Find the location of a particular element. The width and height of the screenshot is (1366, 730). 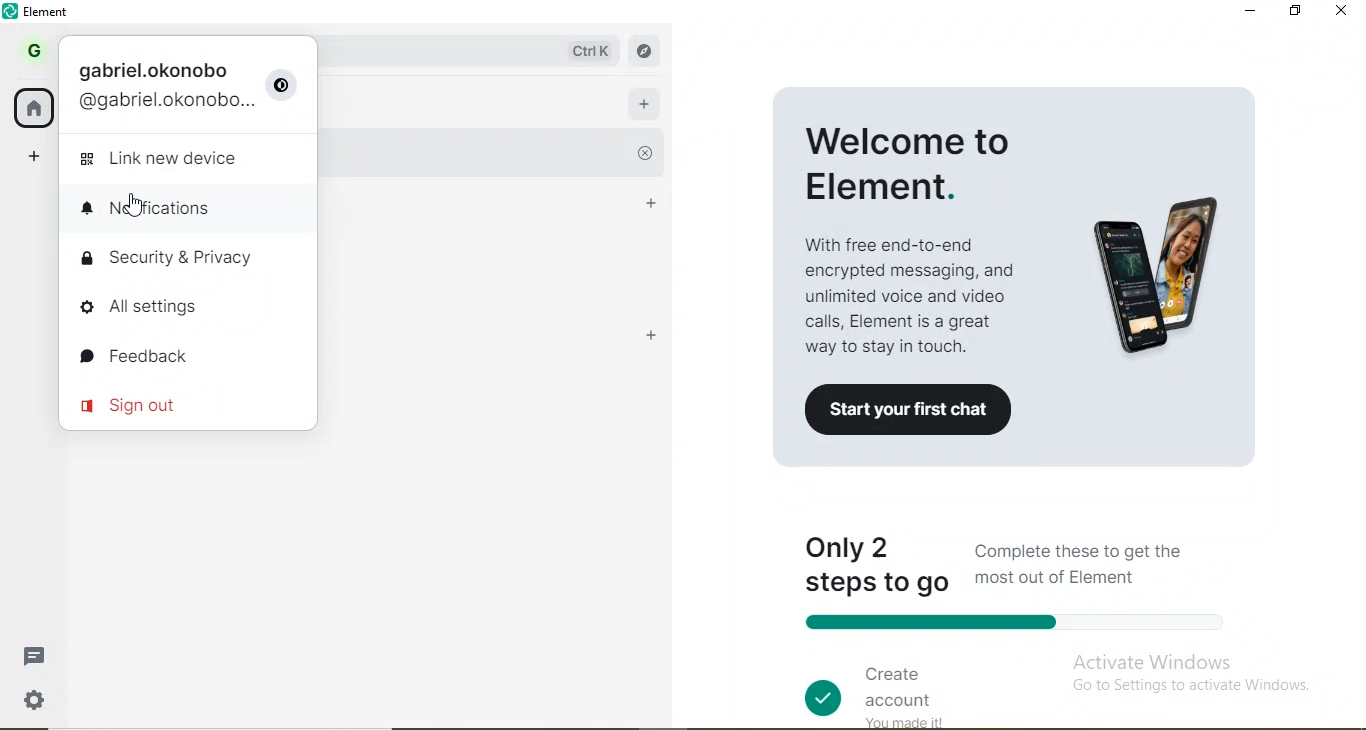

profile is located at coordinates (32, 52).